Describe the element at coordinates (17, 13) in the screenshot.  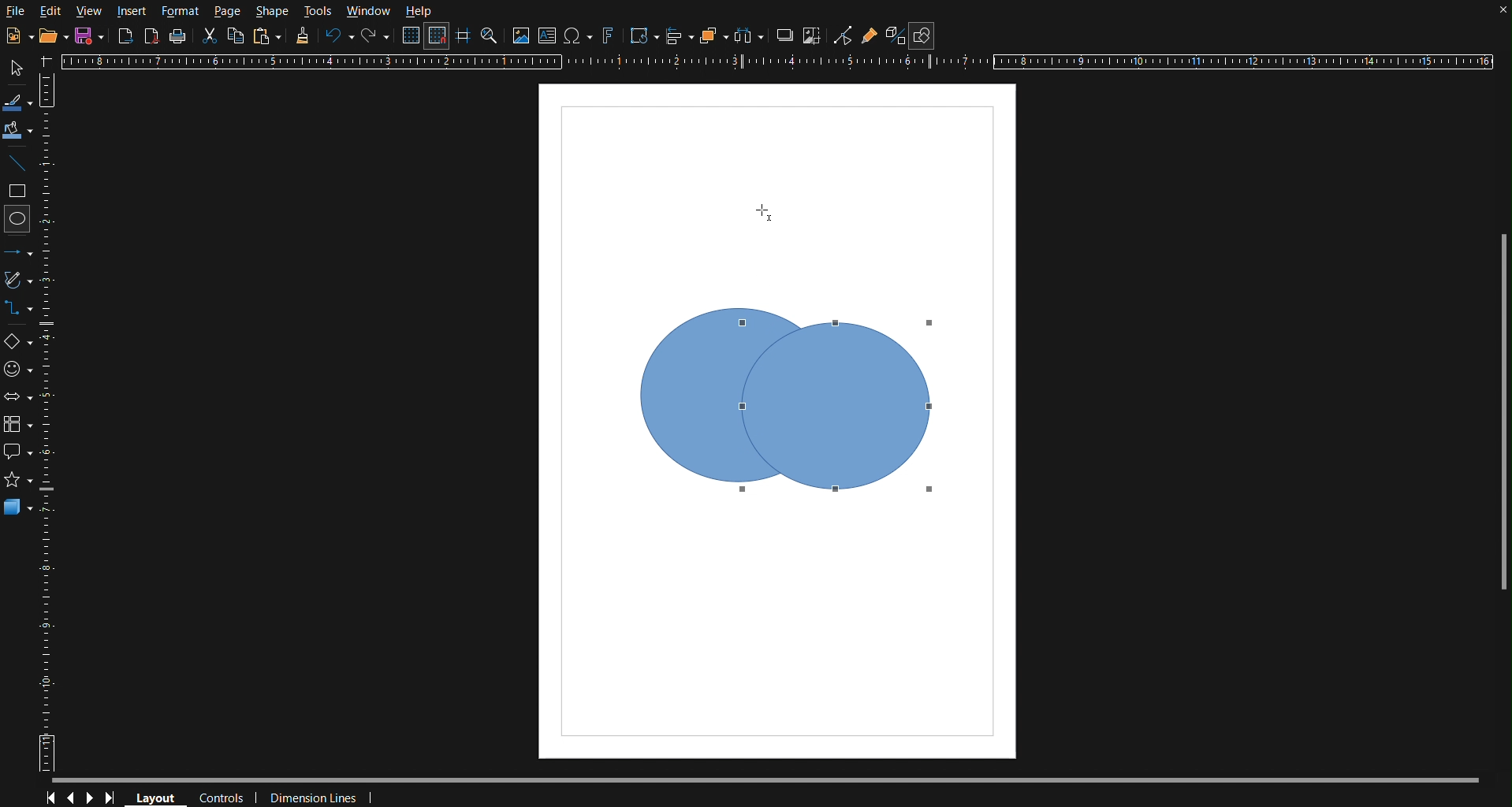
I see `File` at that location.